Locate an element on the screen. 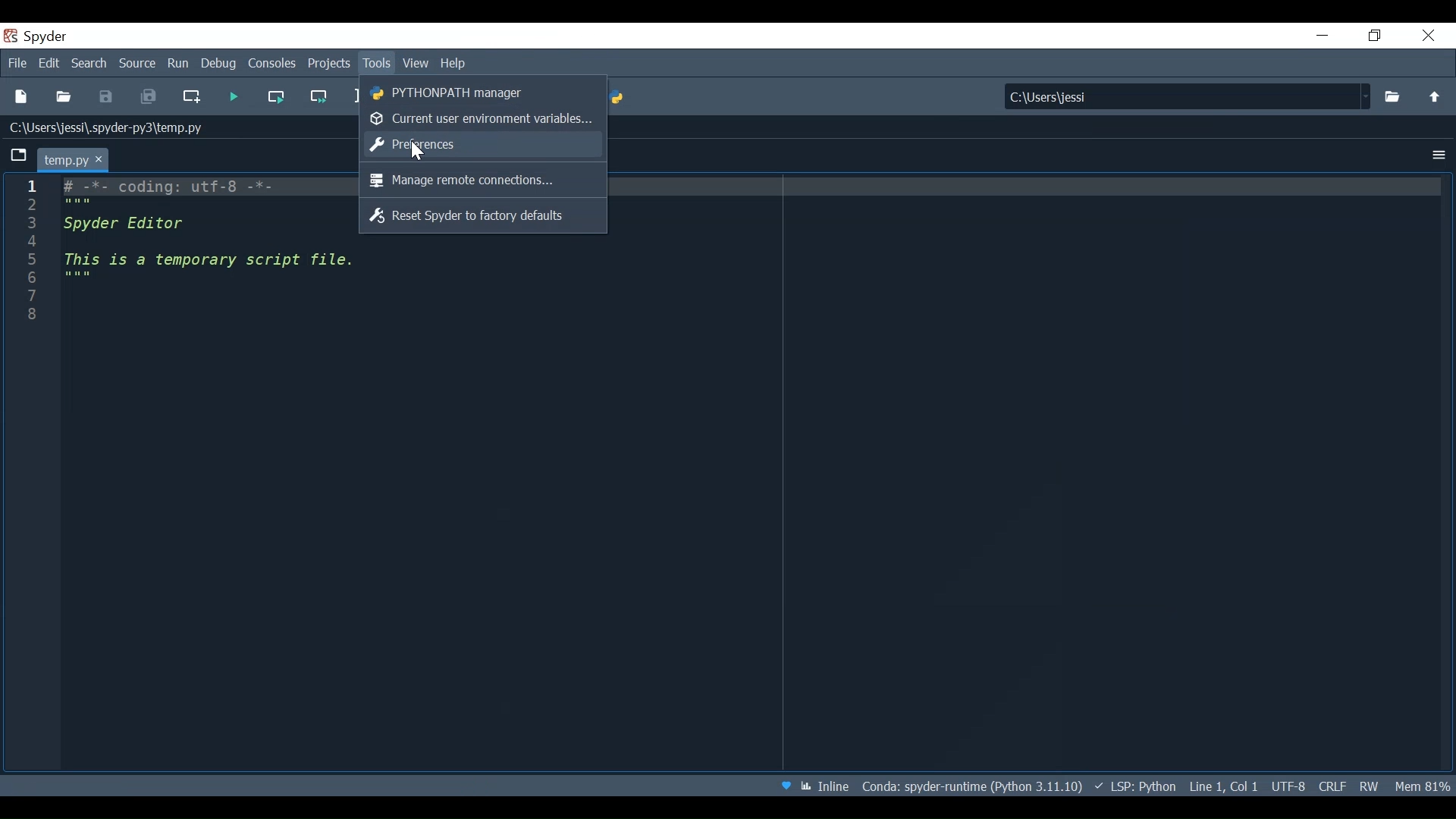 The width and height of the screenshot is (1456, 819). Run the current cell is located at coordinates (275, 98).